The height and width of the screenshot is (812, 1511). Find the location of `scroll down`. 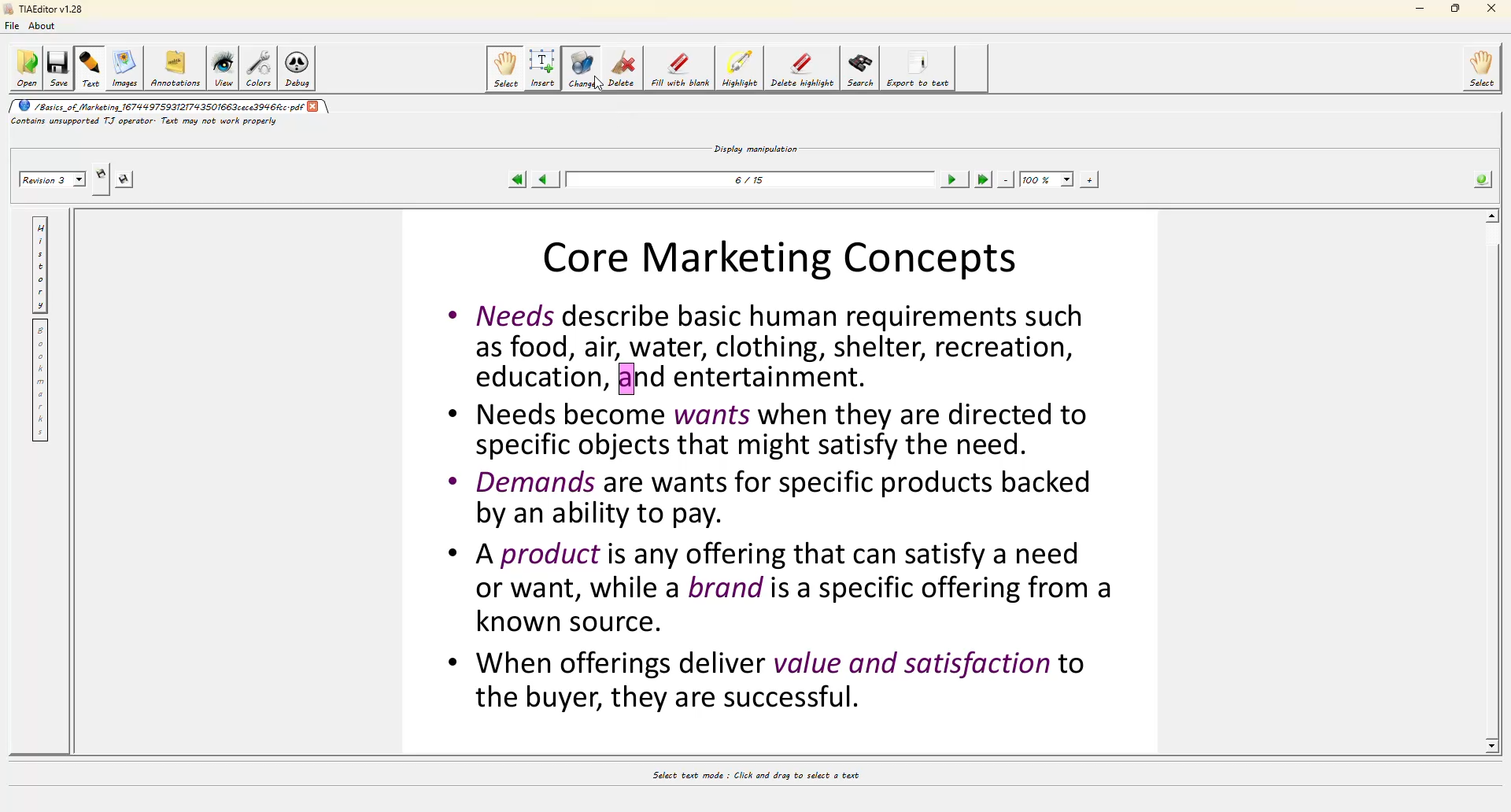

scroll down is located at coordinates (1494, 746).